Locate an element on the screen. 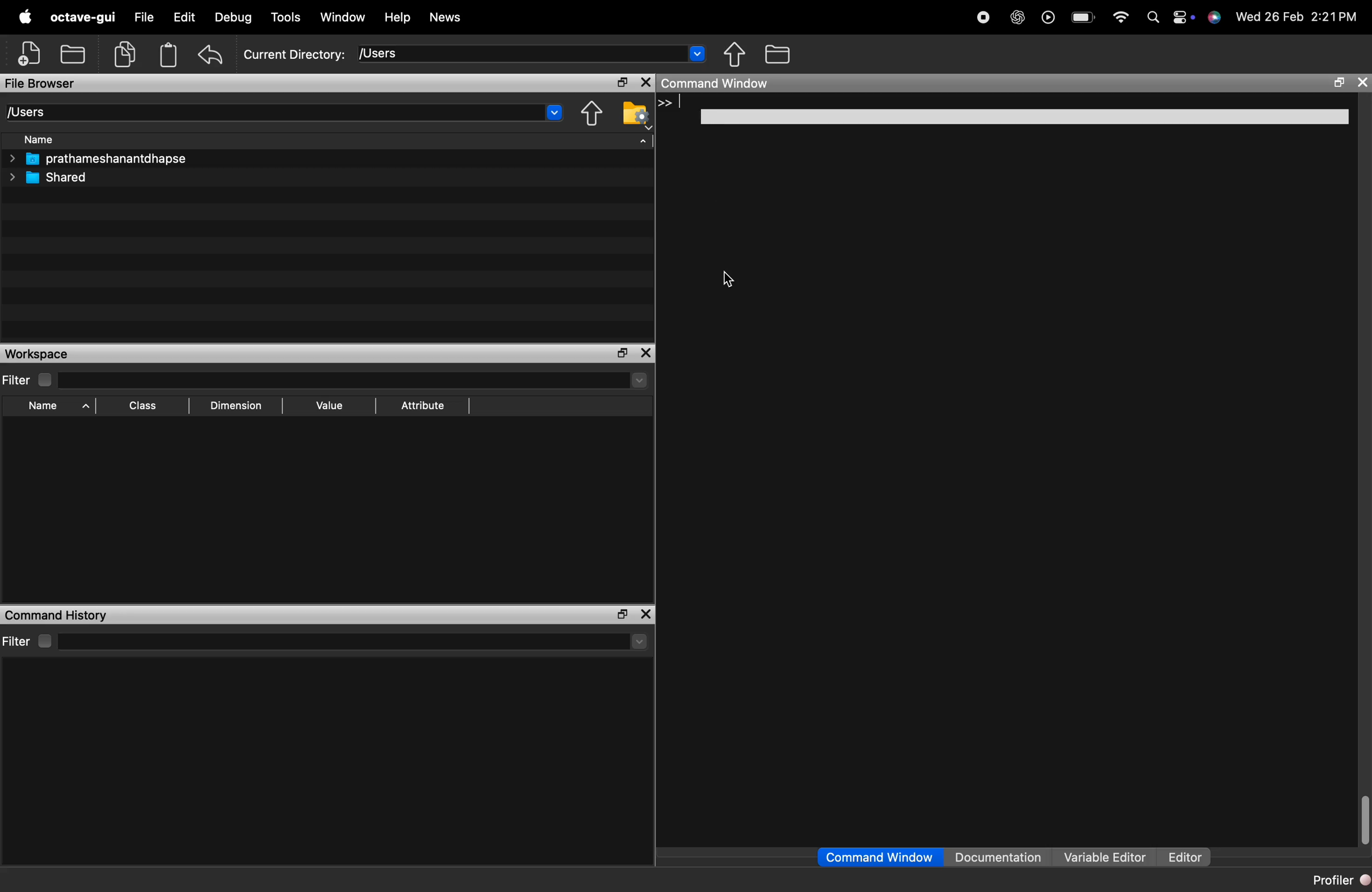 The width and height of the screenshot is (1372, 892). Workspace is located at coordinates (40, 351).